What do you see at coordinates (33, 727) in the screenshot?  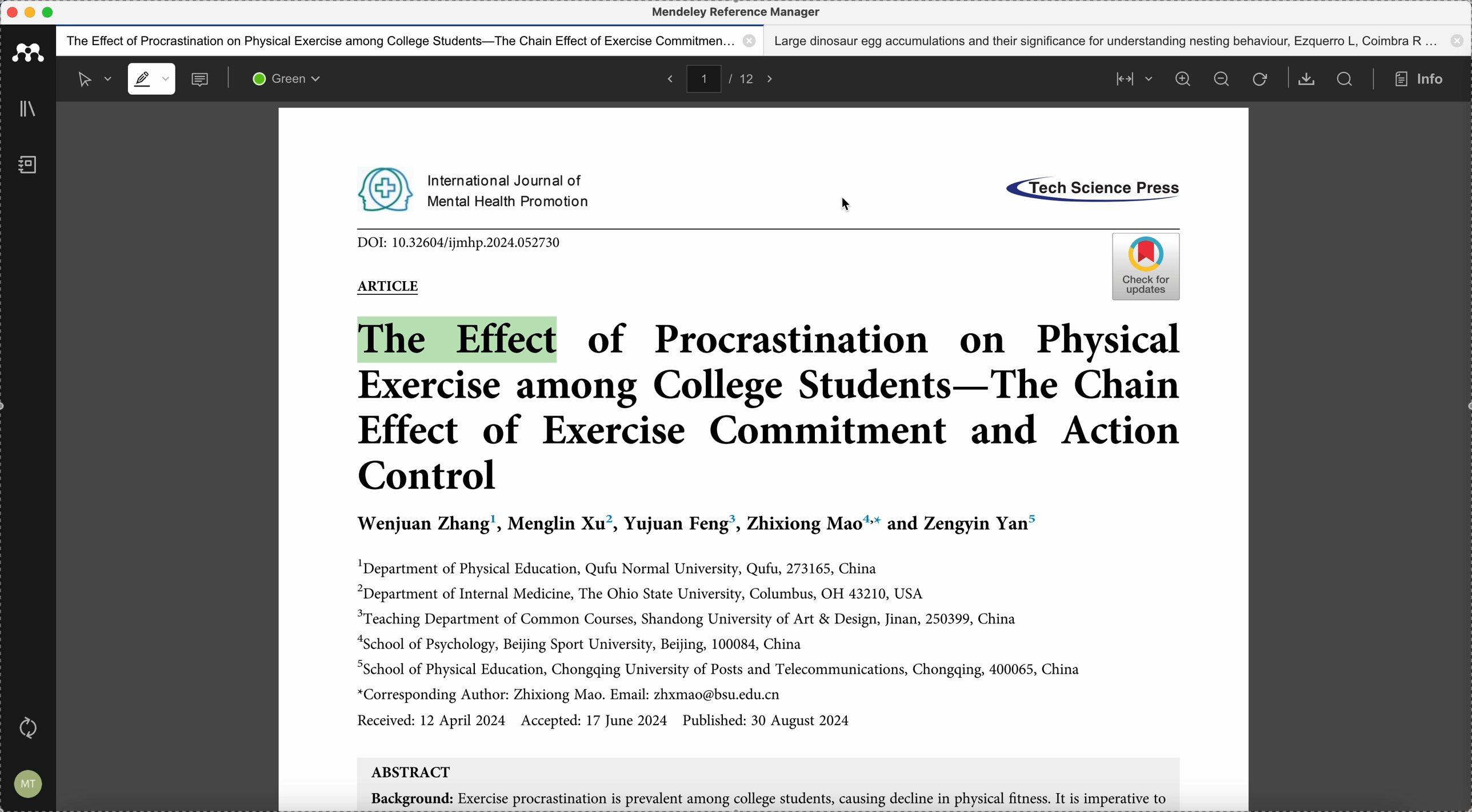 I see `last sync` at bounding box center [33, 727].